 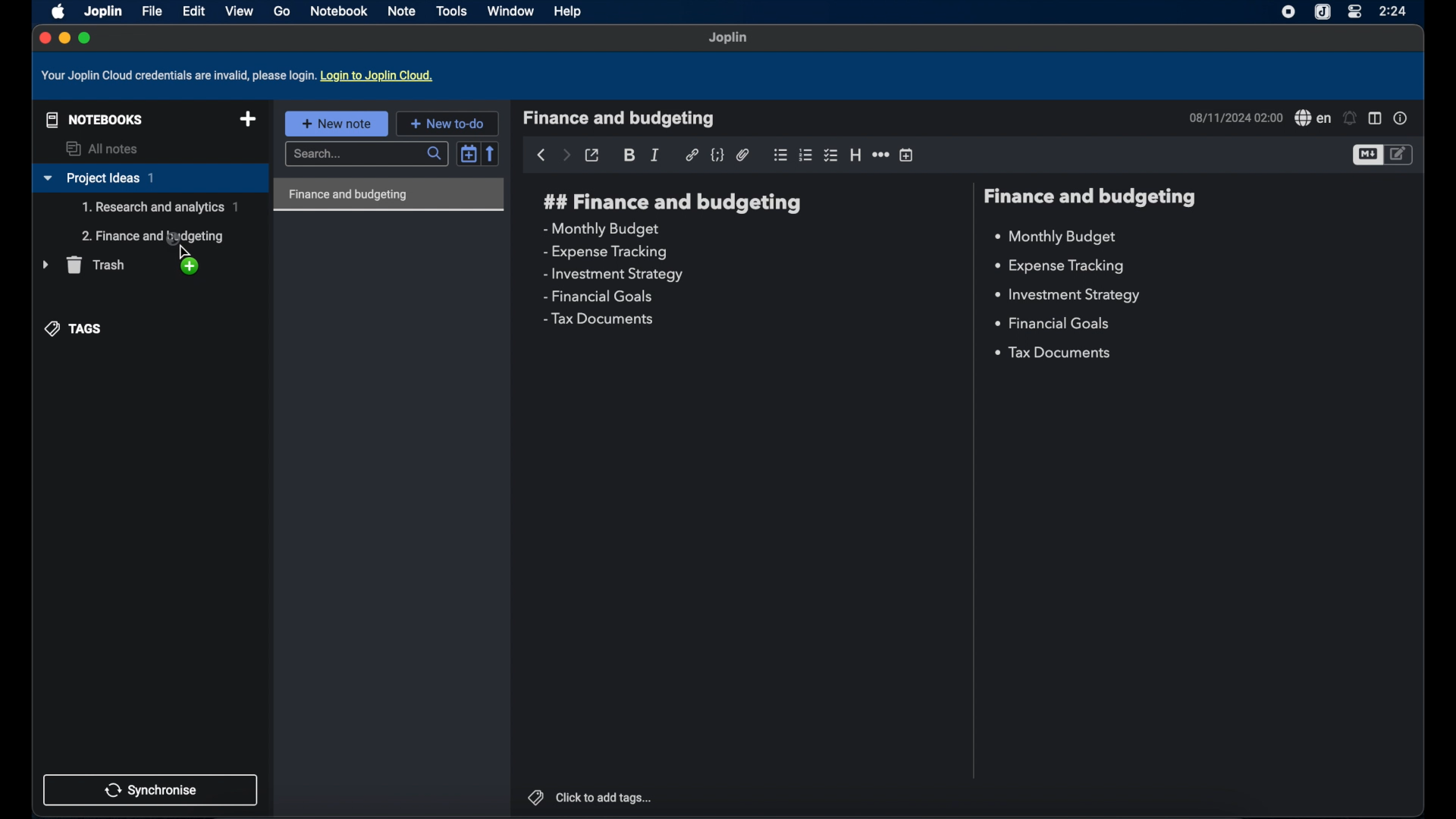 I want to click on back, so click(x=541, y=155).